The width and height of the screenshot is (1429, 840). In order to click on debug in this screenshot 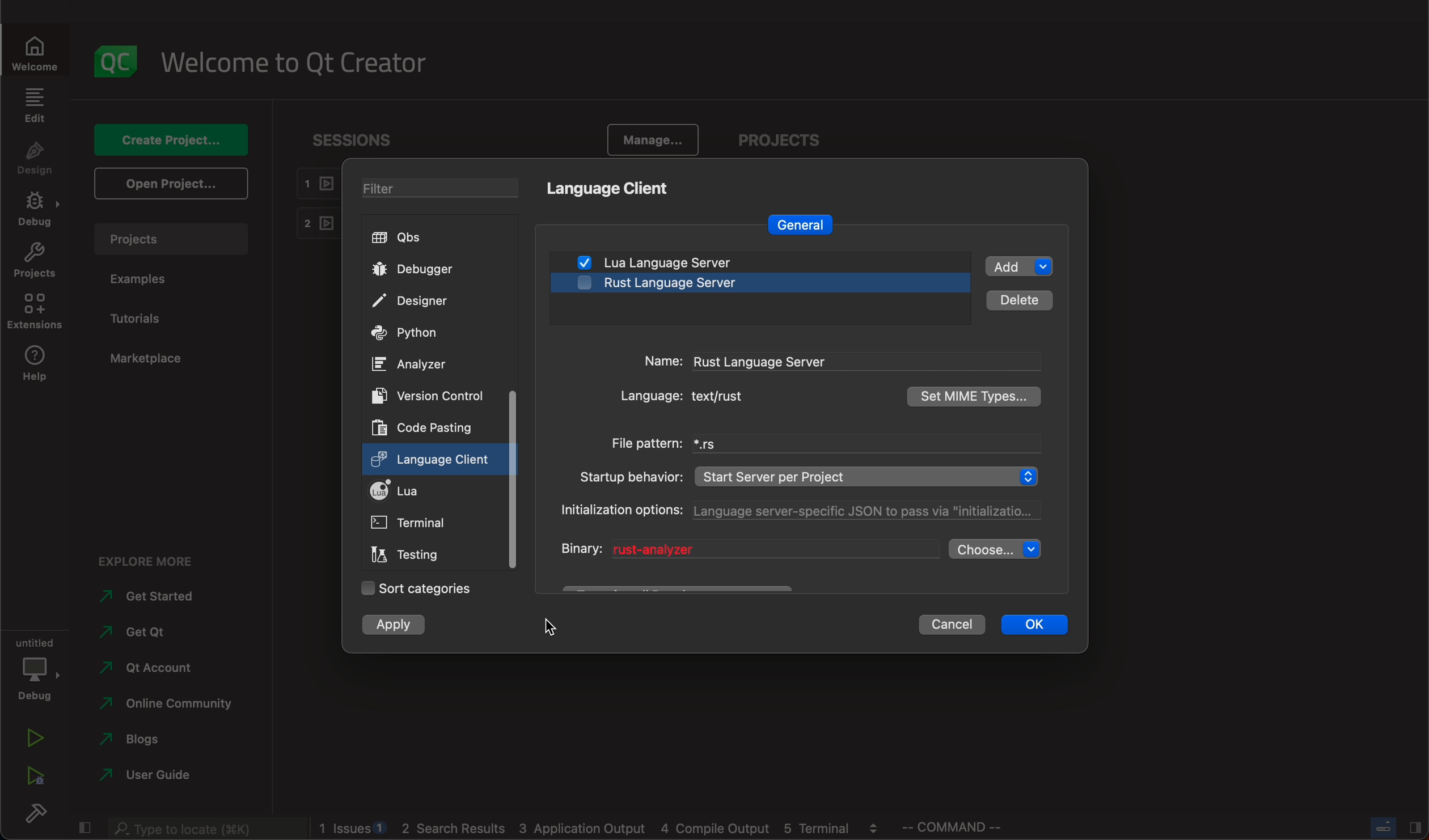, I will do `click(37, 668)`.